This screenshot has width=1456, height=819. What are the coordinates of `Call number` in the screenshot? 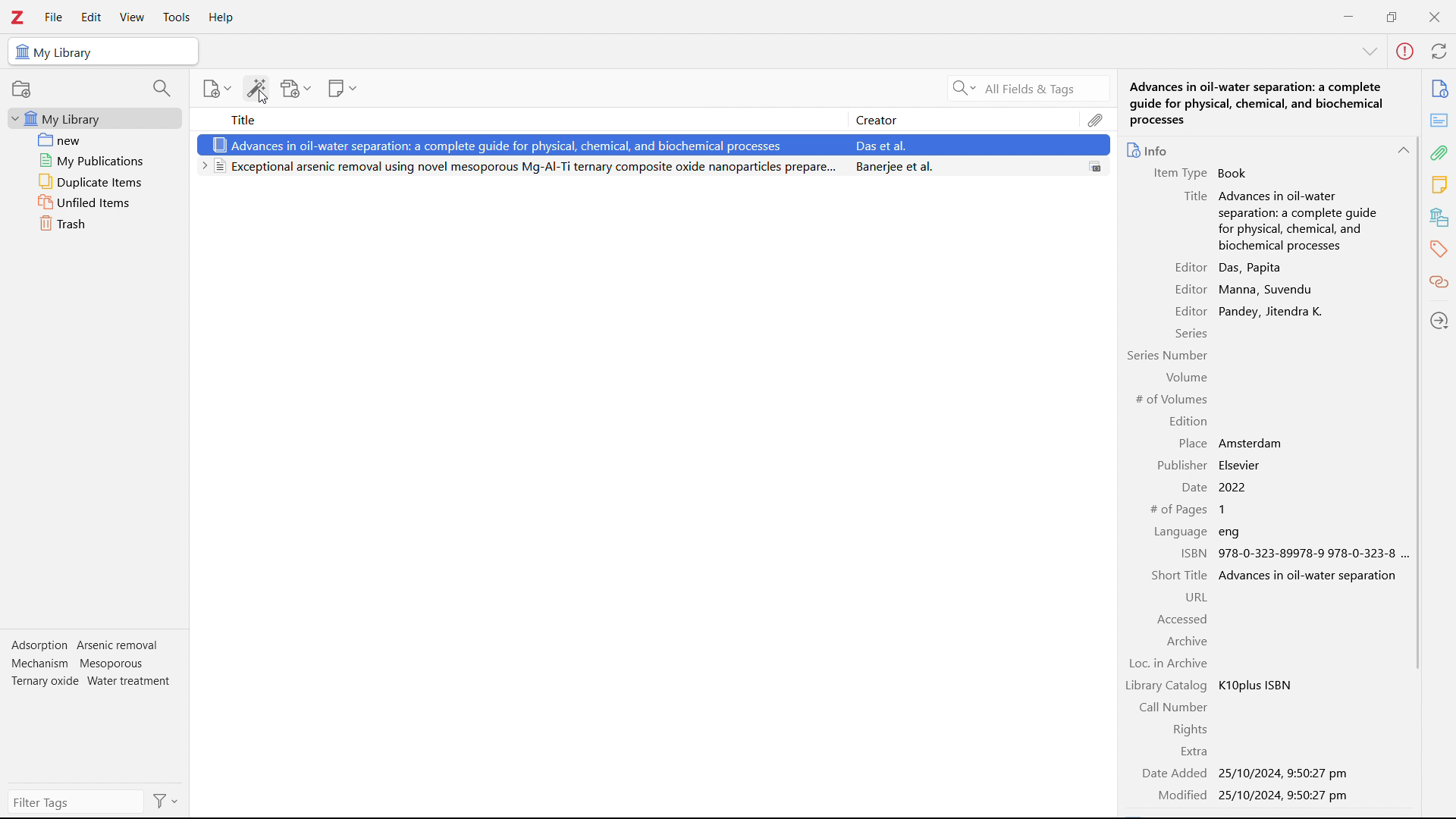 It's located at (1174, 707).